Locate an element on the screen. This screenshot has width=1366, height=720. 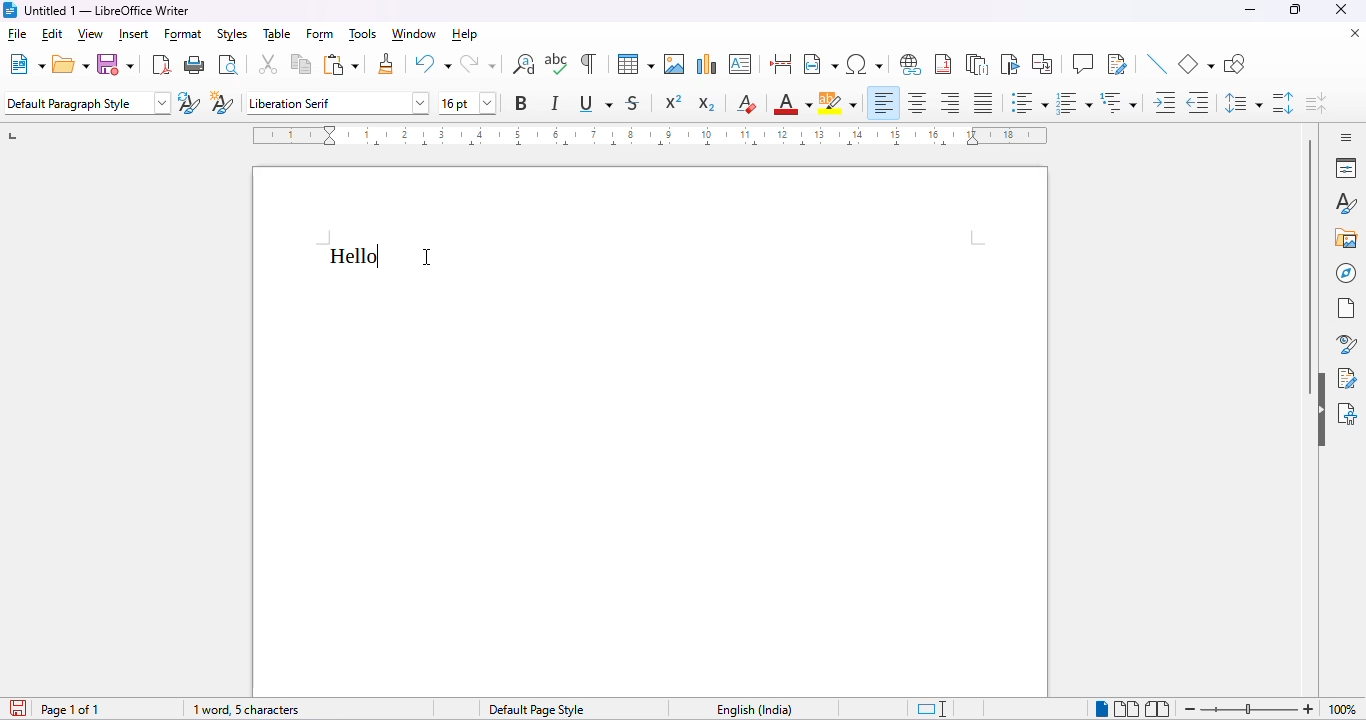
show track changes functions is located at coordinates (1118, 64).